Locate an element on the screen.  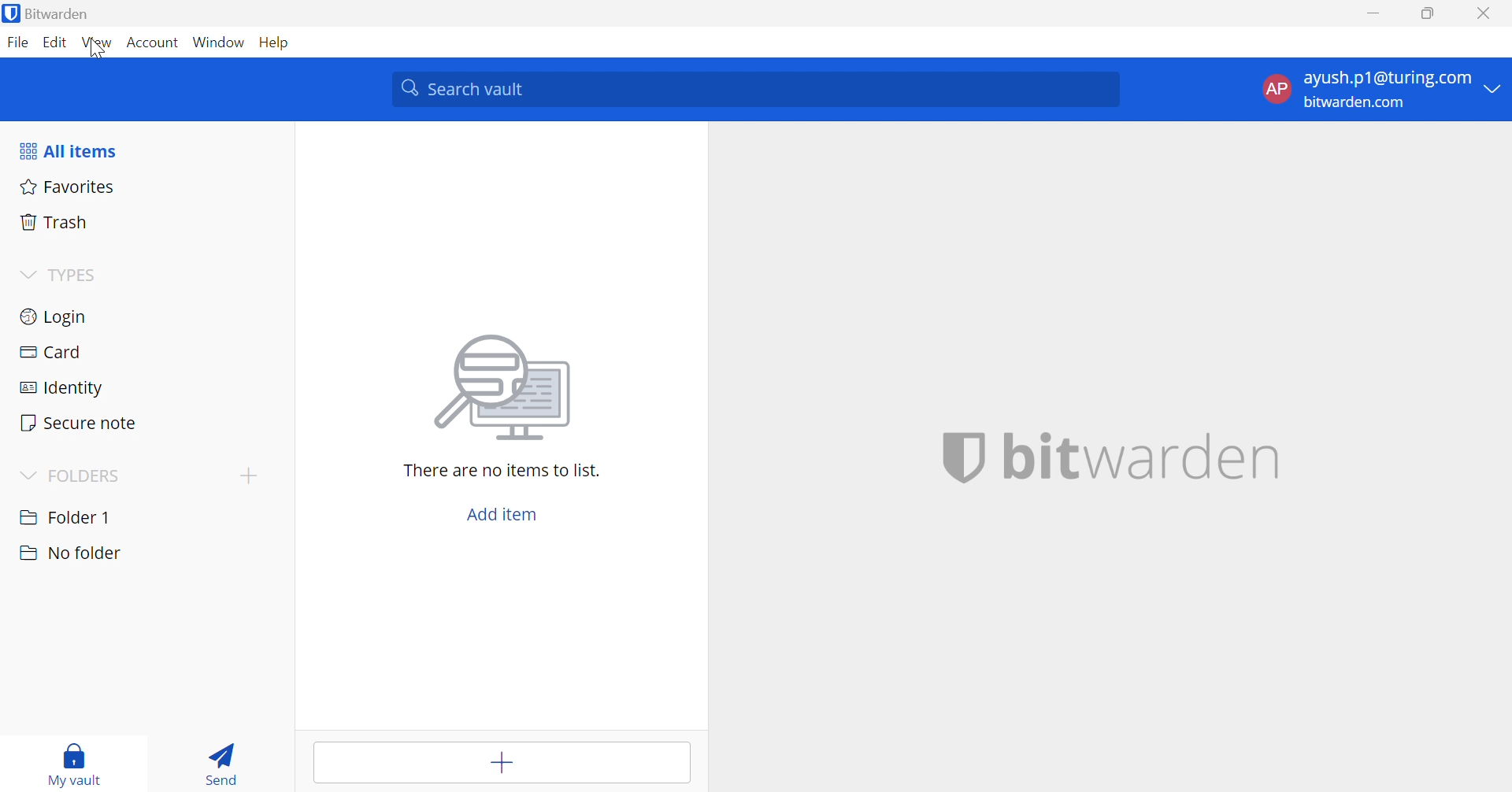
No folder is located at coordinates (70, 555).